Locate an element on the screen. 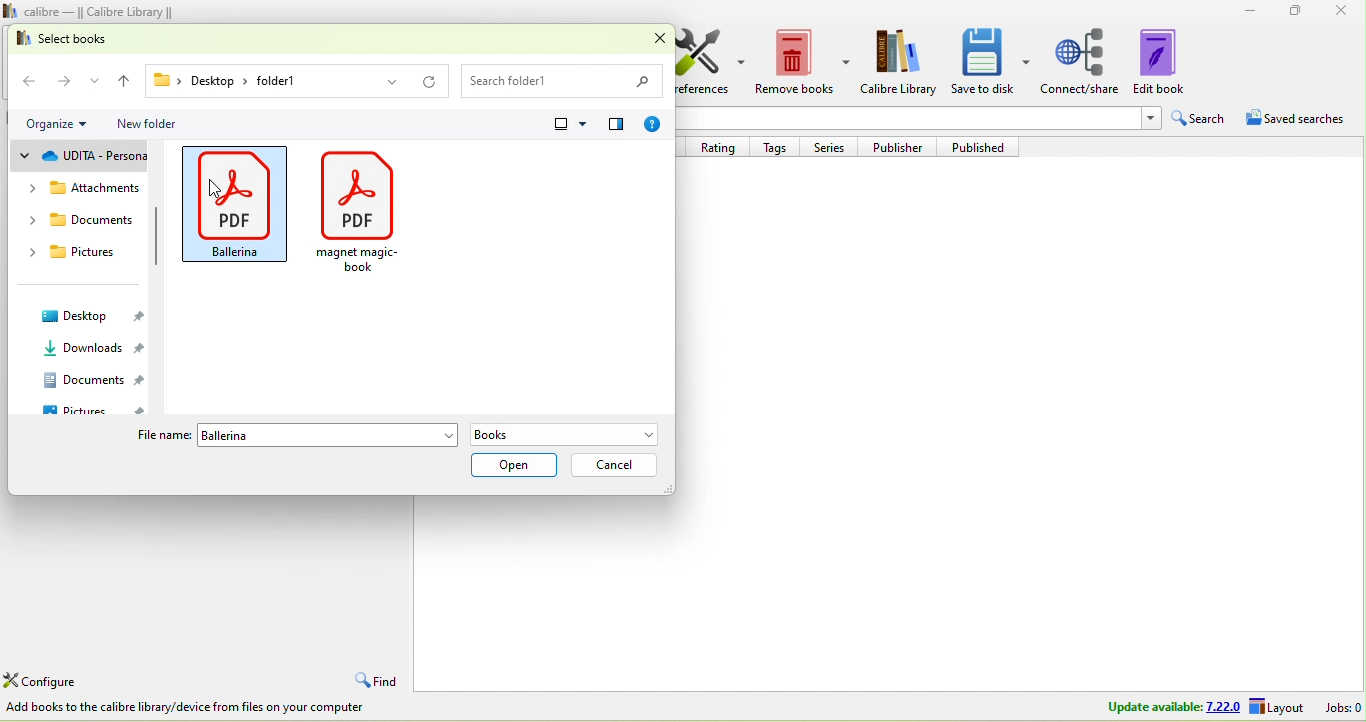 This screenshot has width=1366, height=722. File name - ballerina is located at coordinates (329, 434).